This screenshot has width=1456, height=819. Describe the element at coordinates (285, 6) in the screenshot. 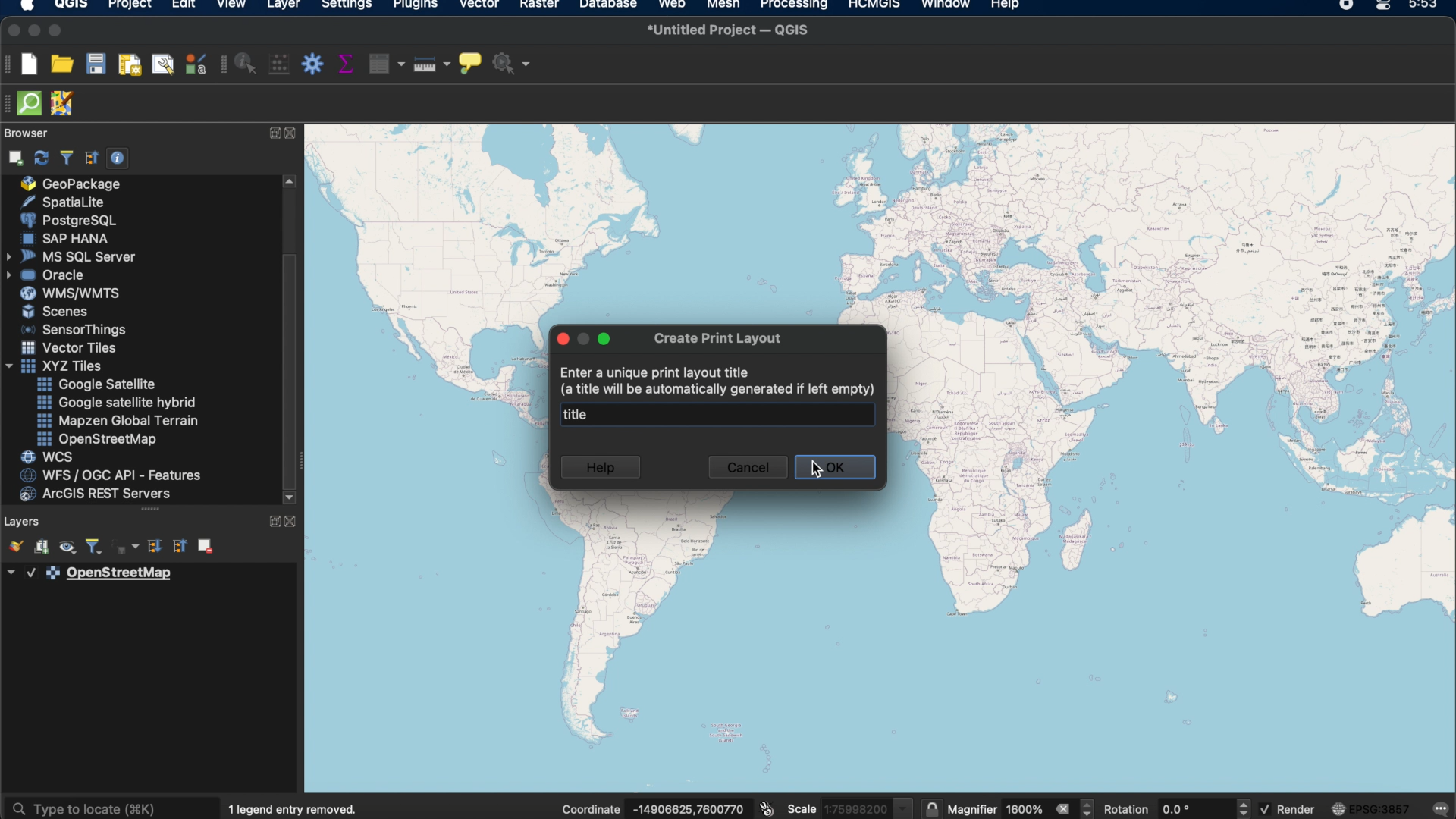

I see `layer` at that location.